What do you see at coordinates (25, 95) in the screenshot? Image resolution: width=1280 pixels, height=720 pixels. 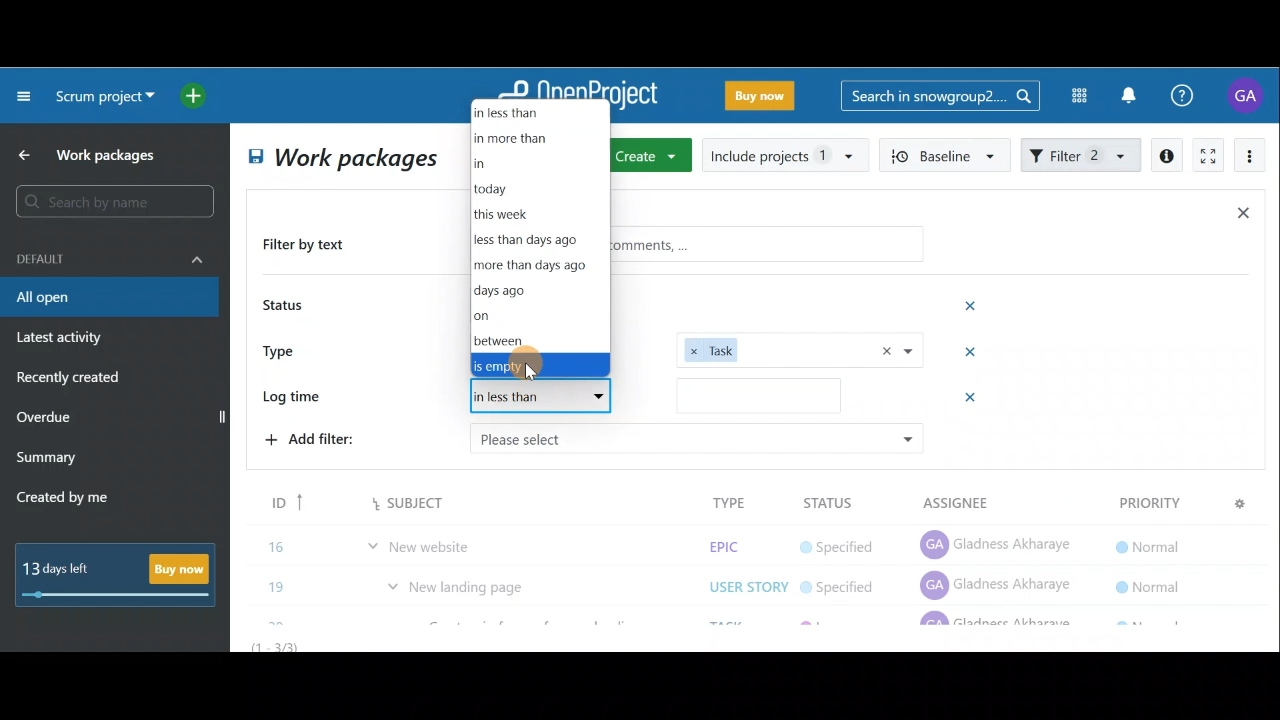 I see `Collapse project menu` at bounding box center [25, 95].